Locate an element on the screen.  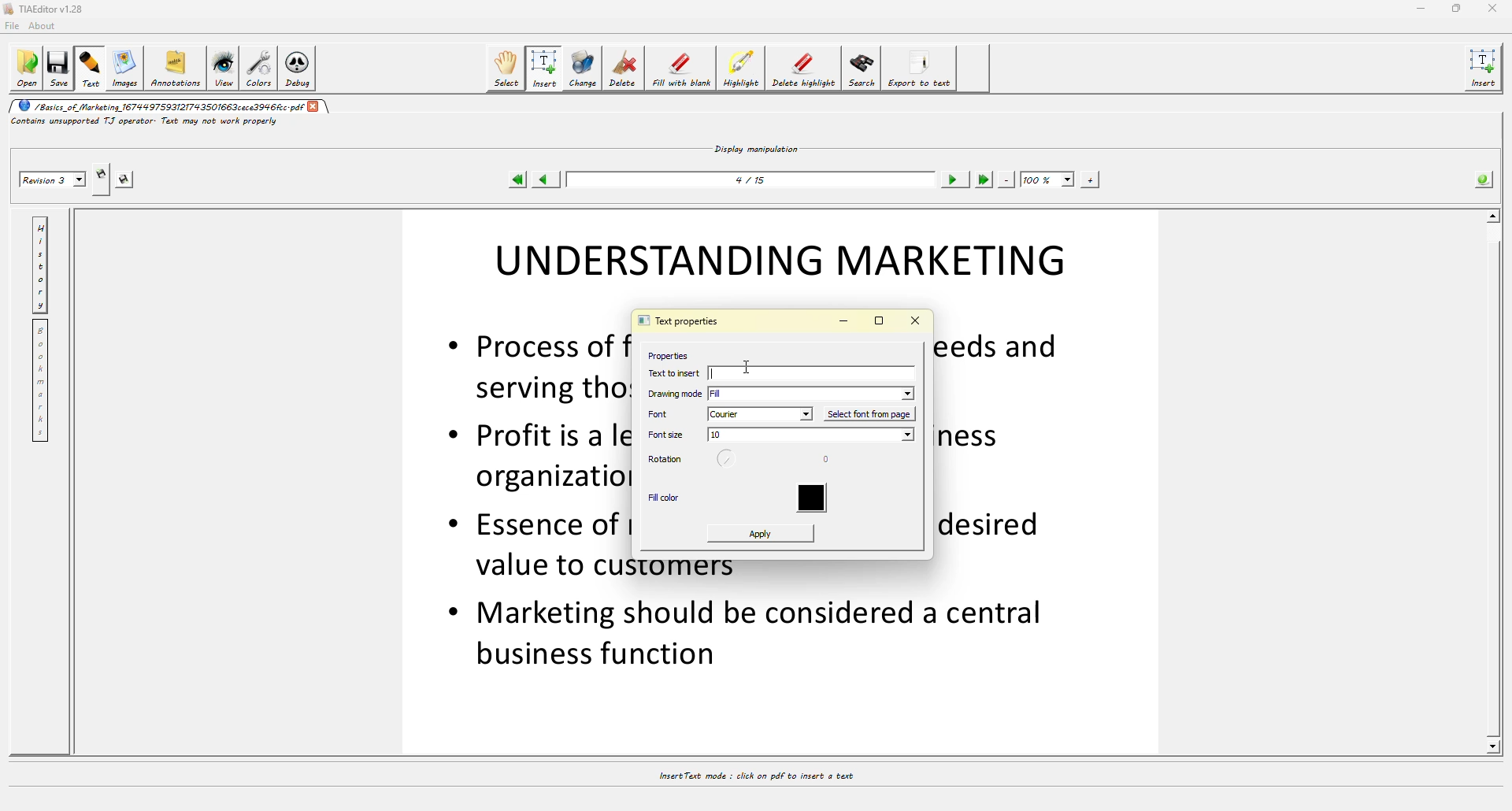
delete is located at coordinates (624, 67).